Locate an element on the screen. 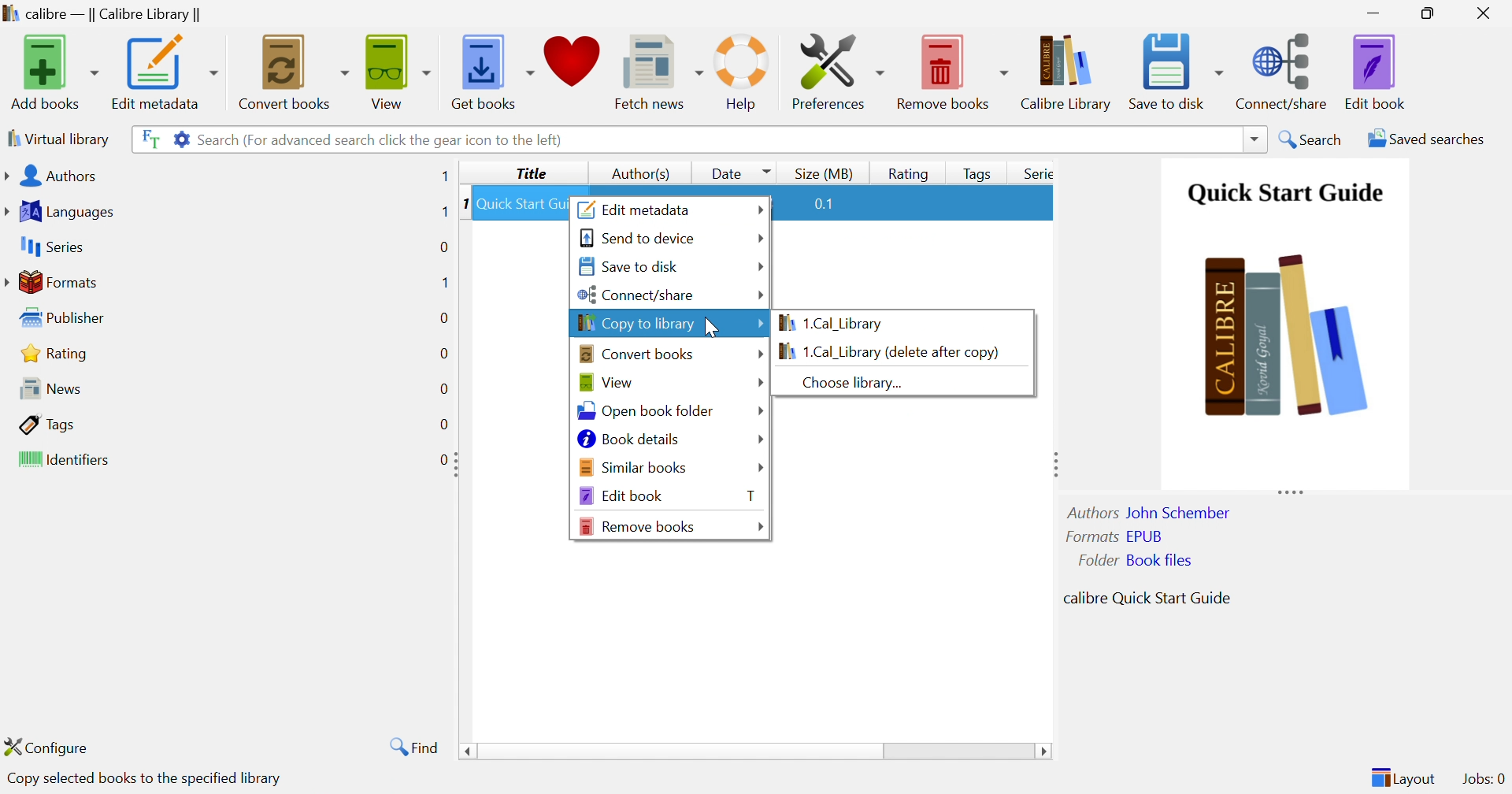 The height and width of the screenshot is (794, 1512). 1 is located at coordinates (459, 204).